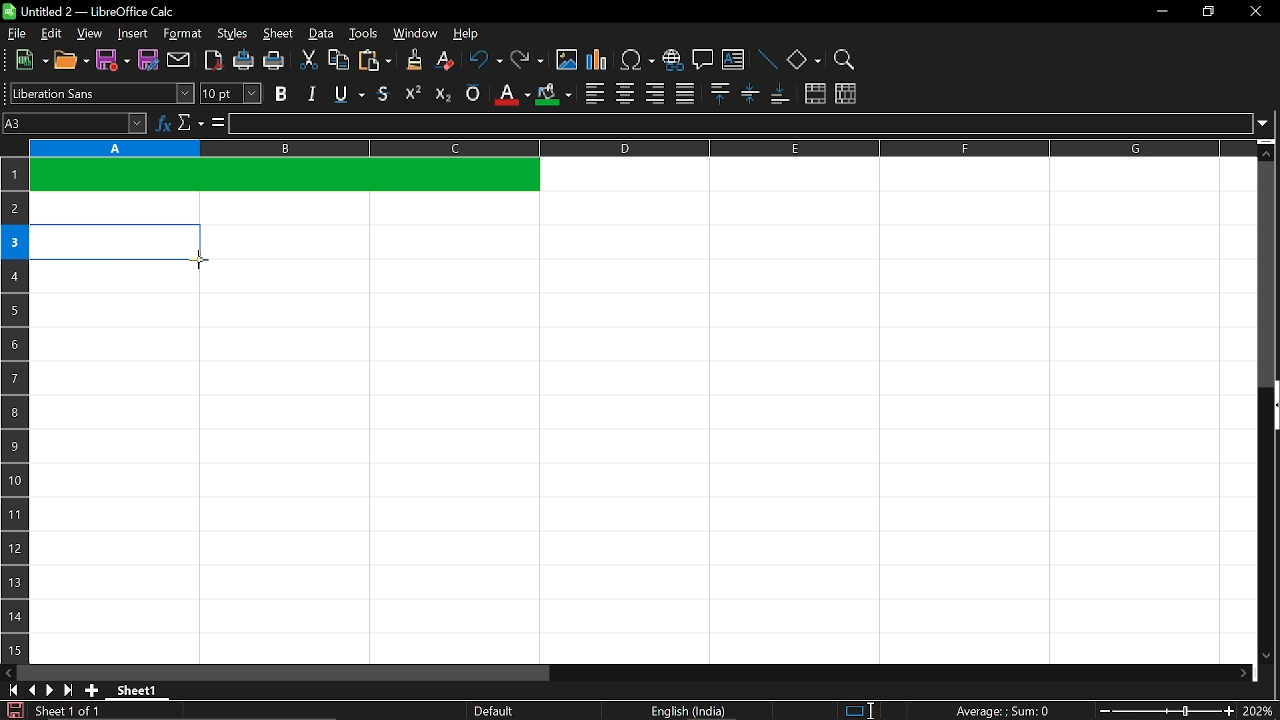 The width and height of the screenshot is (1280, 720). I want to click on expand formula bar, so click(1266, 123).